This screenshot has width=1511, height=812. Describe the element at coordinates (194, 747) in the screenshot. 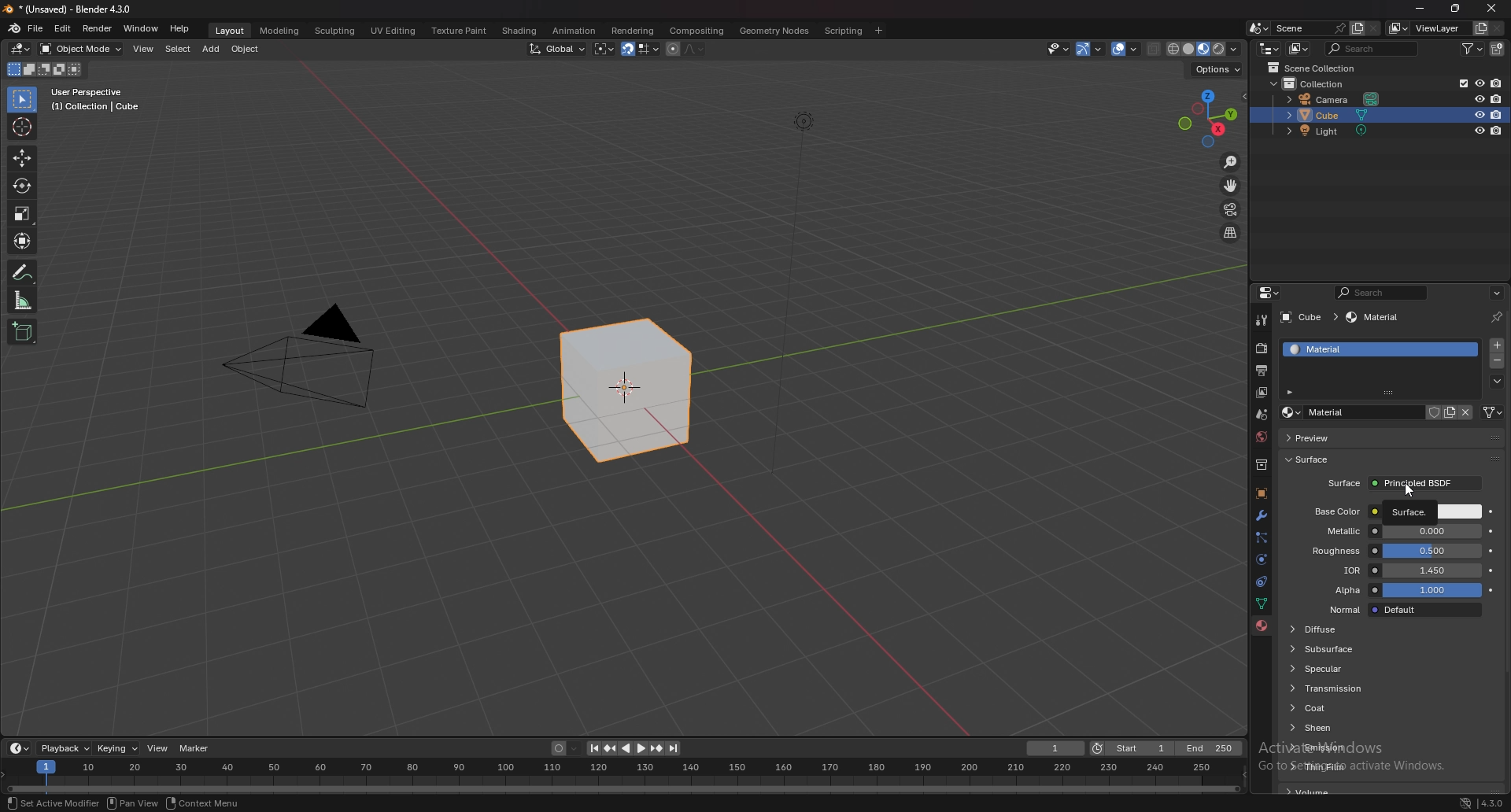

I see `marker` at that location.